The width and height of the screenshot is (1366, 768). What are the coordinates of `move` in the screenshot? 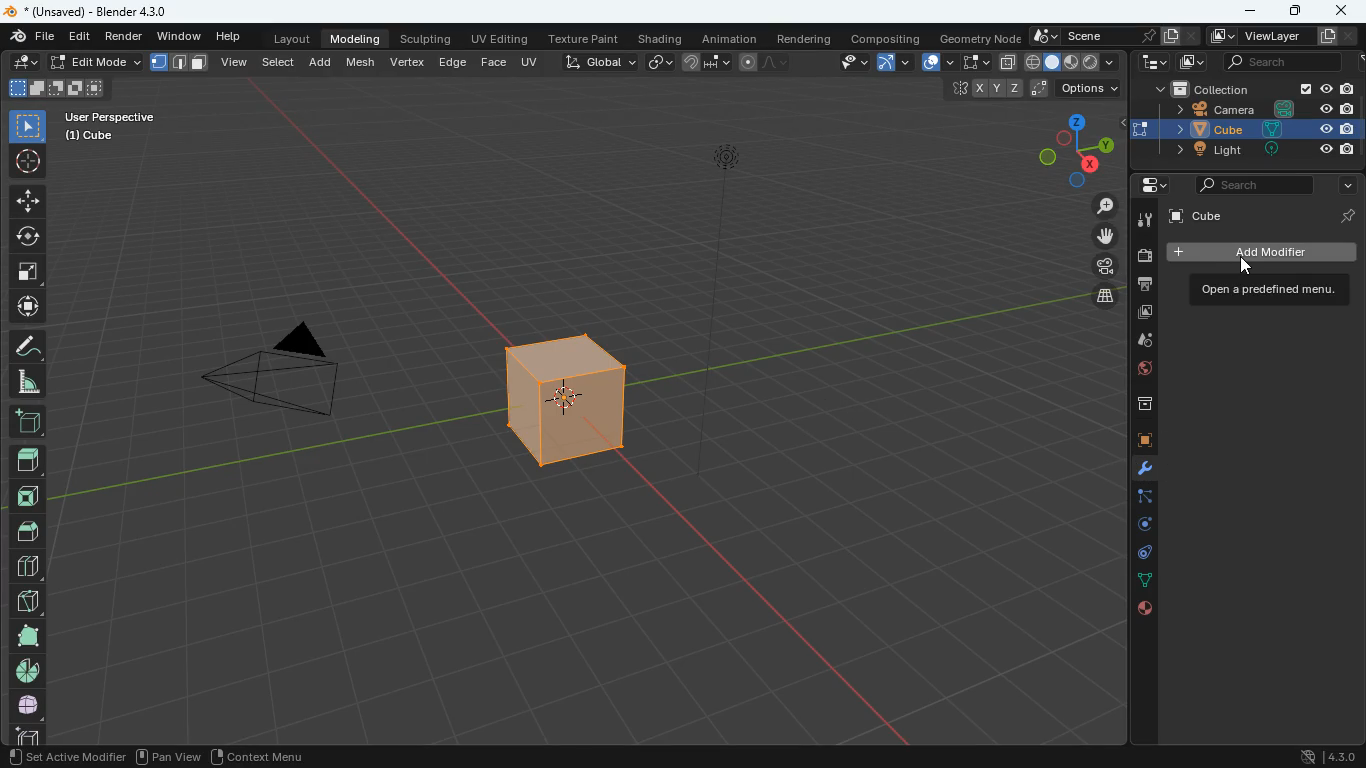 It's located at (27, 200).